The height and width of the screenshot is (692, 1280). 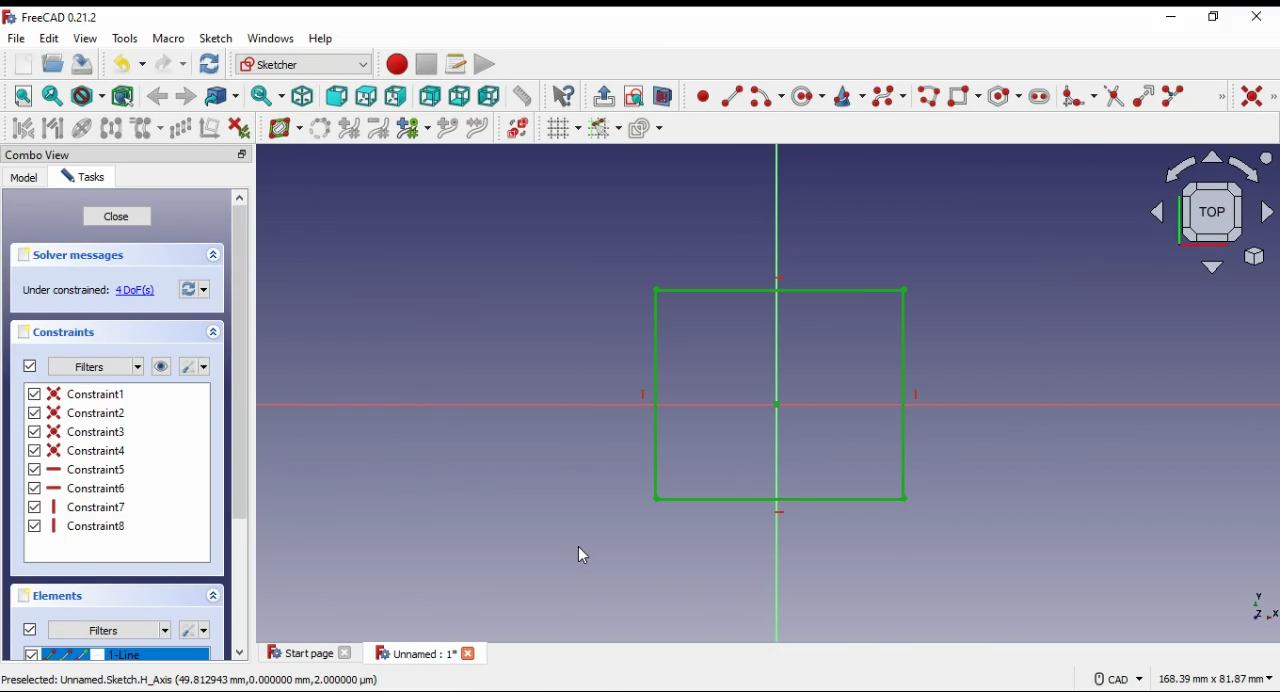 What do you see at coordinates (490, 96) in the screenshot?
I see `left` at bounding box center [490, 96].